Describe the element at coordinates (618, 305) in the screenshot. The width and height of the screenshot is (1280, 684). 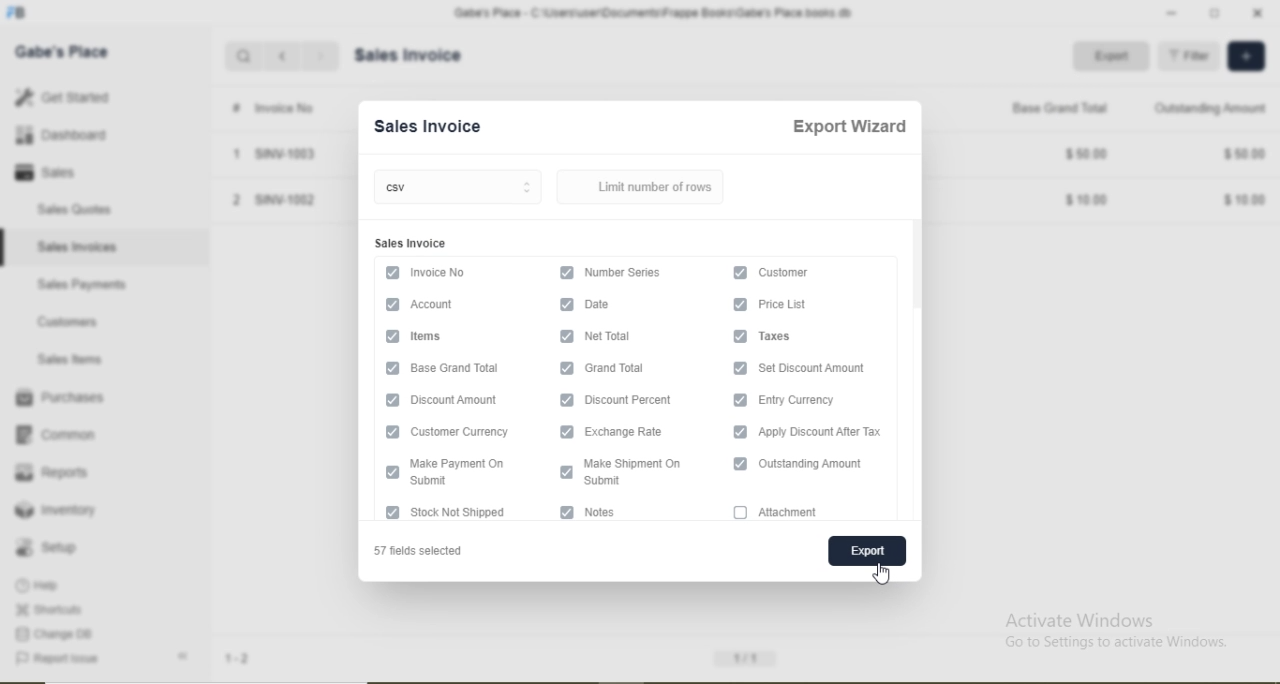
I see `` at that location.